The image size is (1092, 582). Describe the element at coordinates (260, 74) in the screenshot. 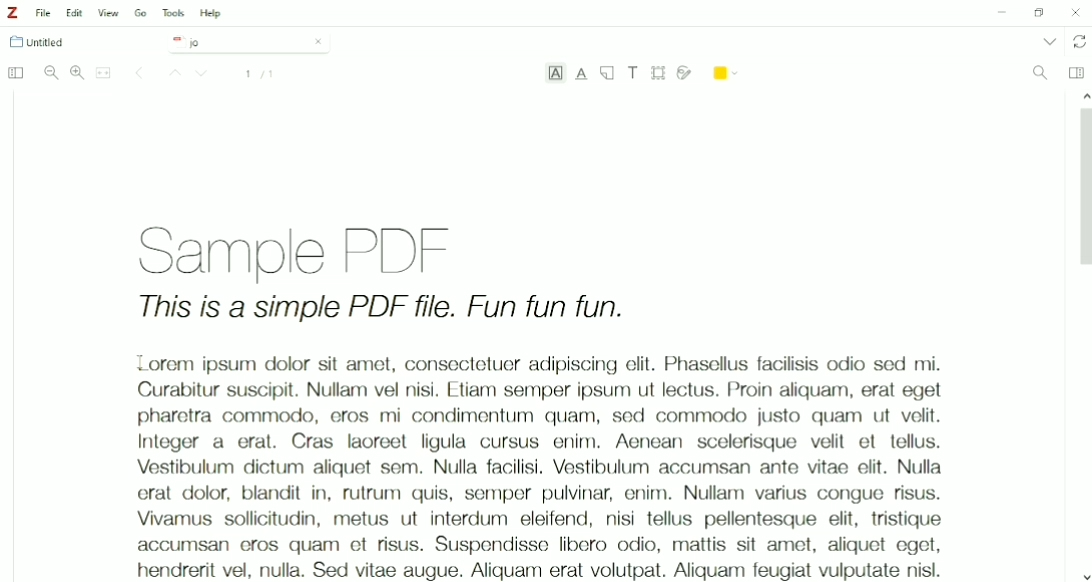

I see `Page number` at that location.